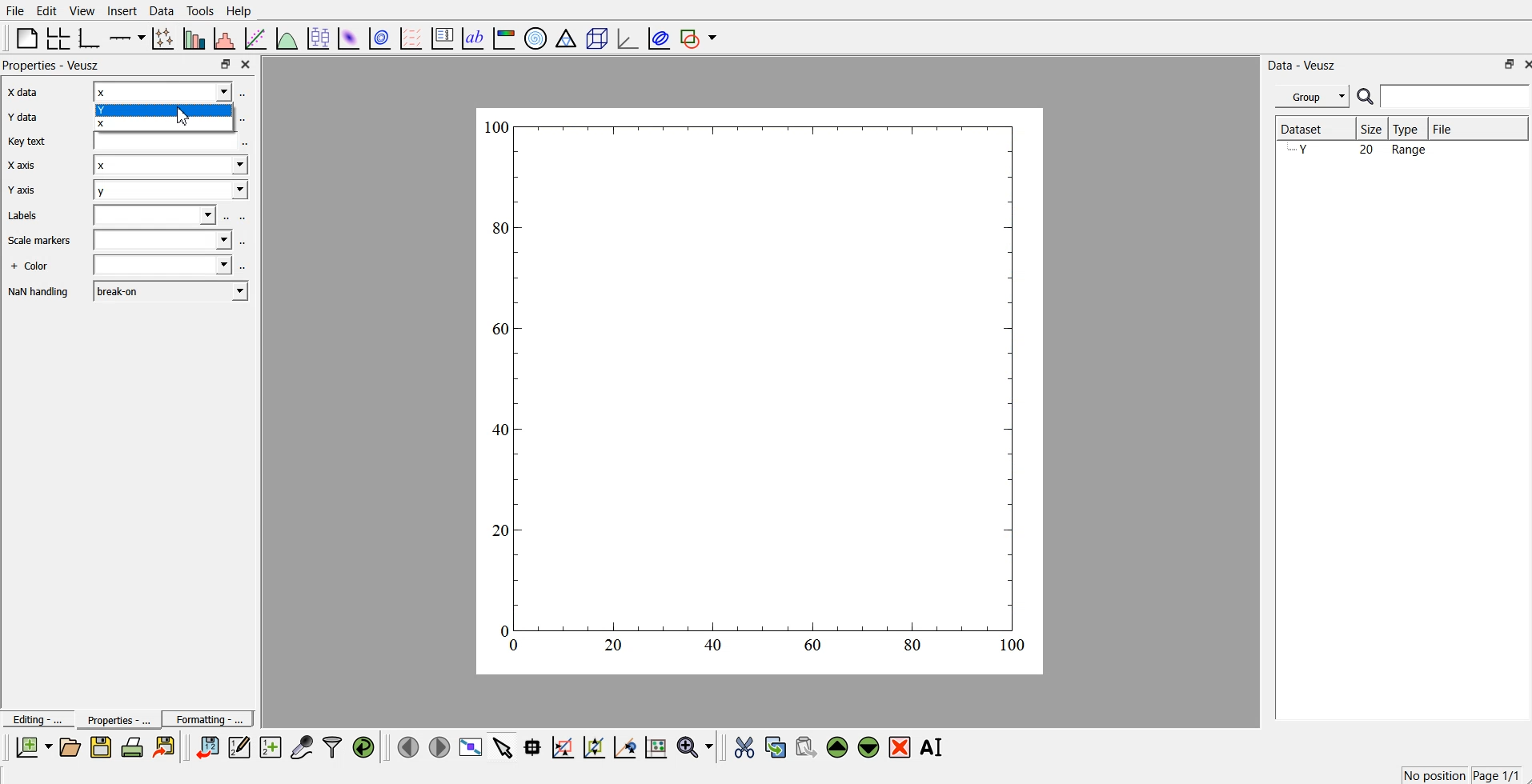 Image resolution: width=1532 pixels, height=784 pixels. What do you see at coordinates (170, 165) in the screenshot?
I see `x` at bounding box center [170, 165].